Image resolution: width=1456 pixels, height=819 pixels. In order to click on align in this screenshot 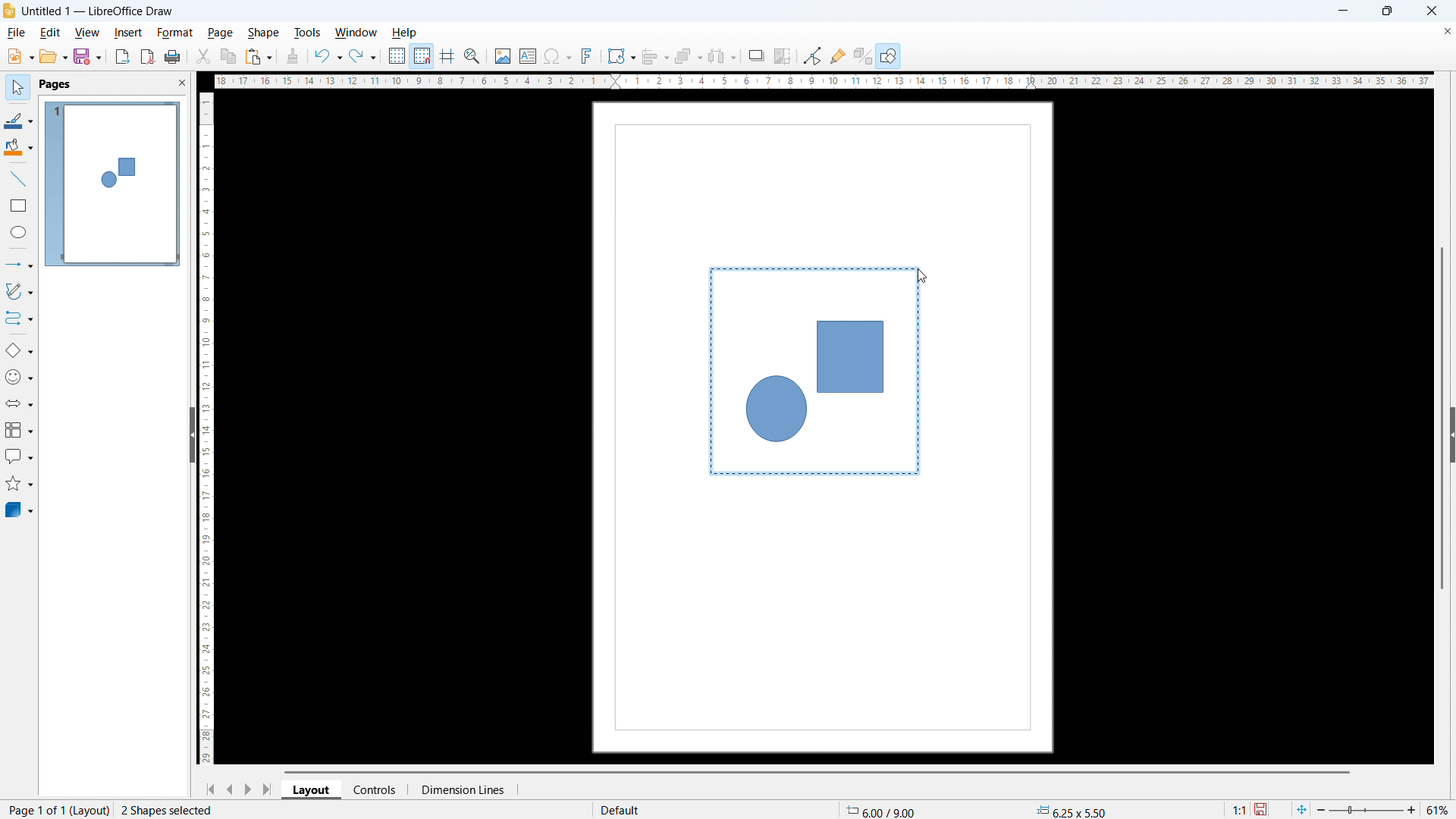, I will do `click(654, 57)`.